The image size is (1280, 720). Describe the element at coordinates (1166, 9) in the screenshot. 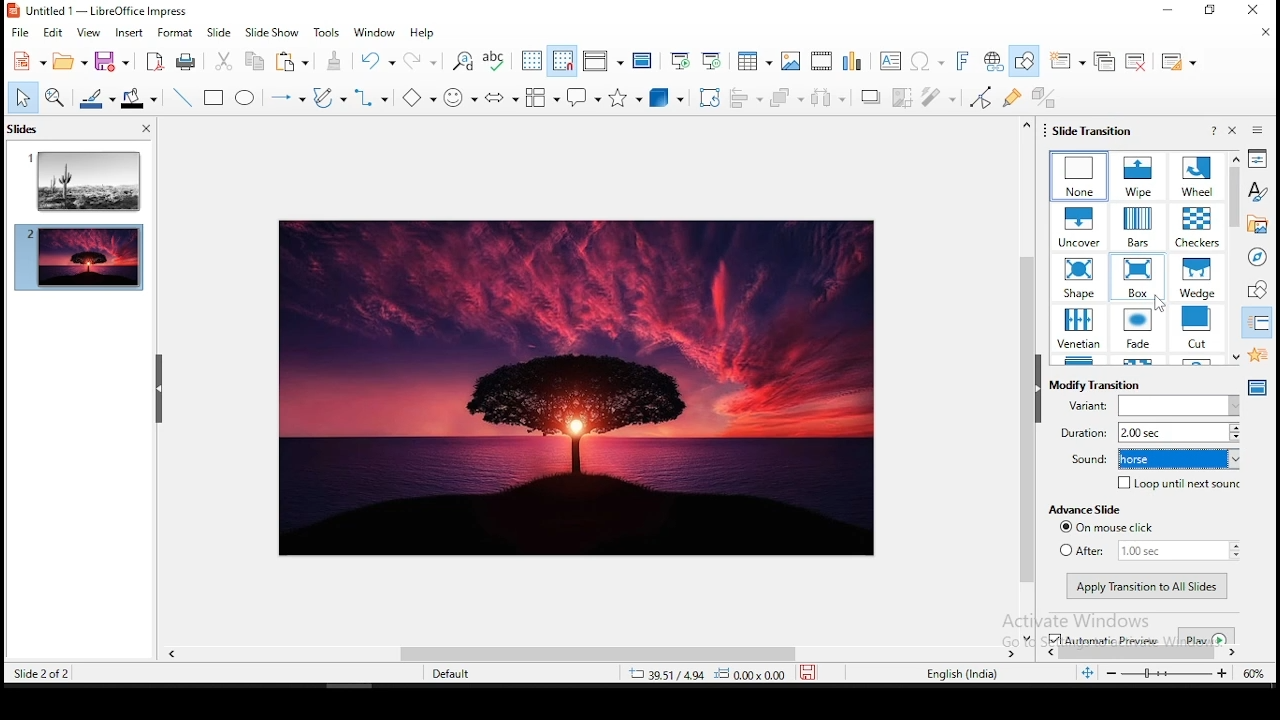

I see `Minimize` at that location.